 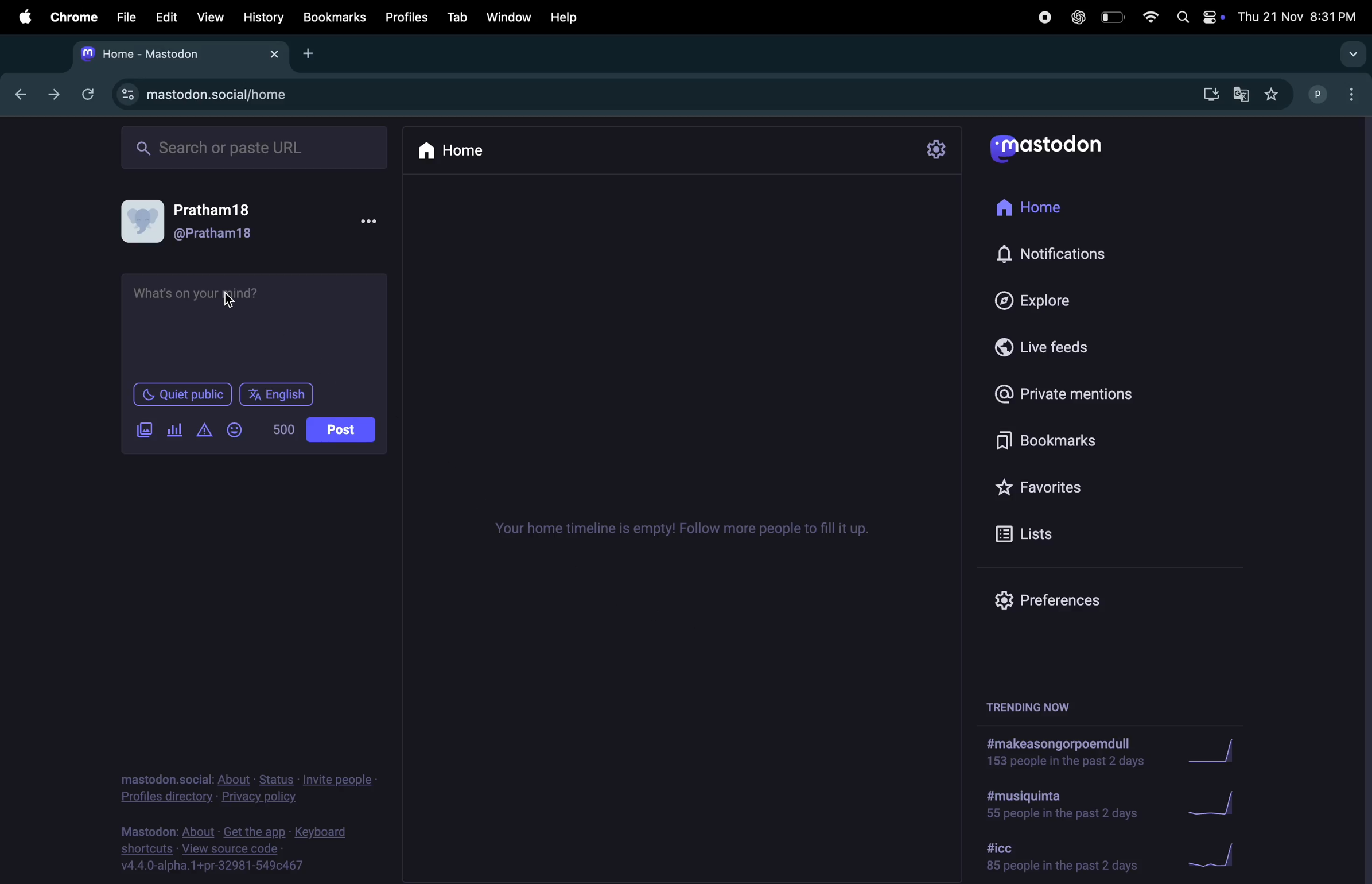 I want to click on searchbar, so click(x=256, y=148).